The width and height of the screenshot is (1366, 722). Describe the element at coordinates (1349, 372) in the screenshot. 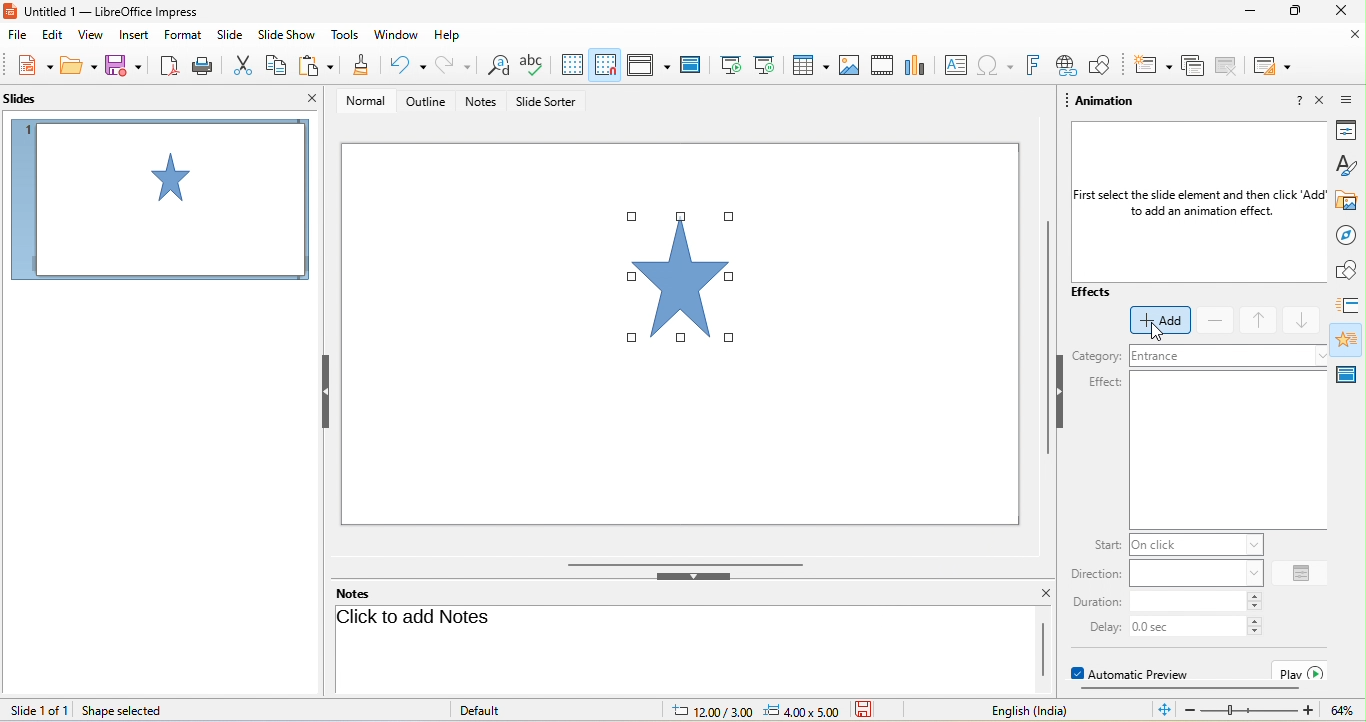

I see `master slide` at that location.